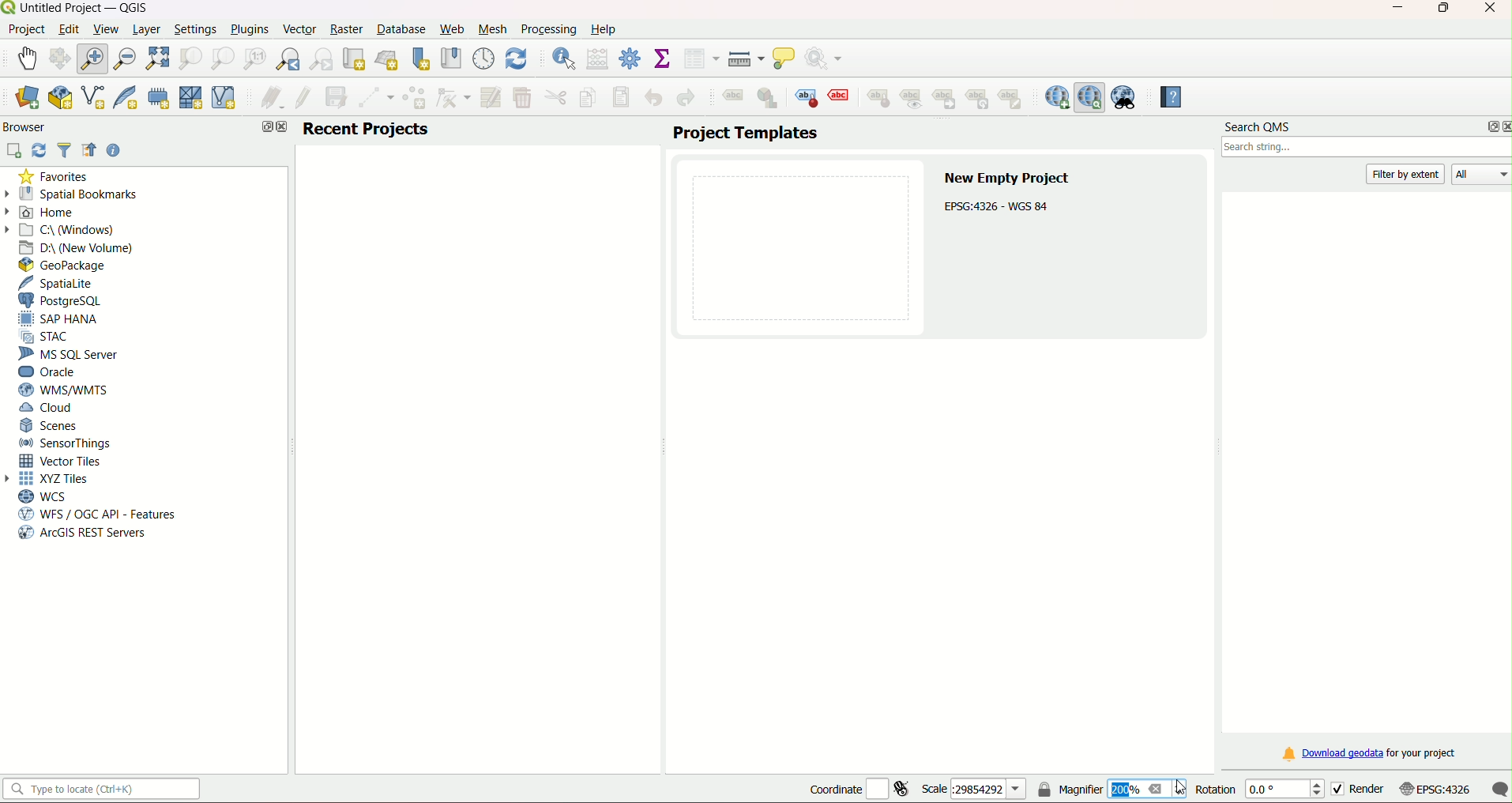  What do you see at coordinates (70, 265) in the screenshot?
I see `Geo Package` at bounding box center [70, 265].